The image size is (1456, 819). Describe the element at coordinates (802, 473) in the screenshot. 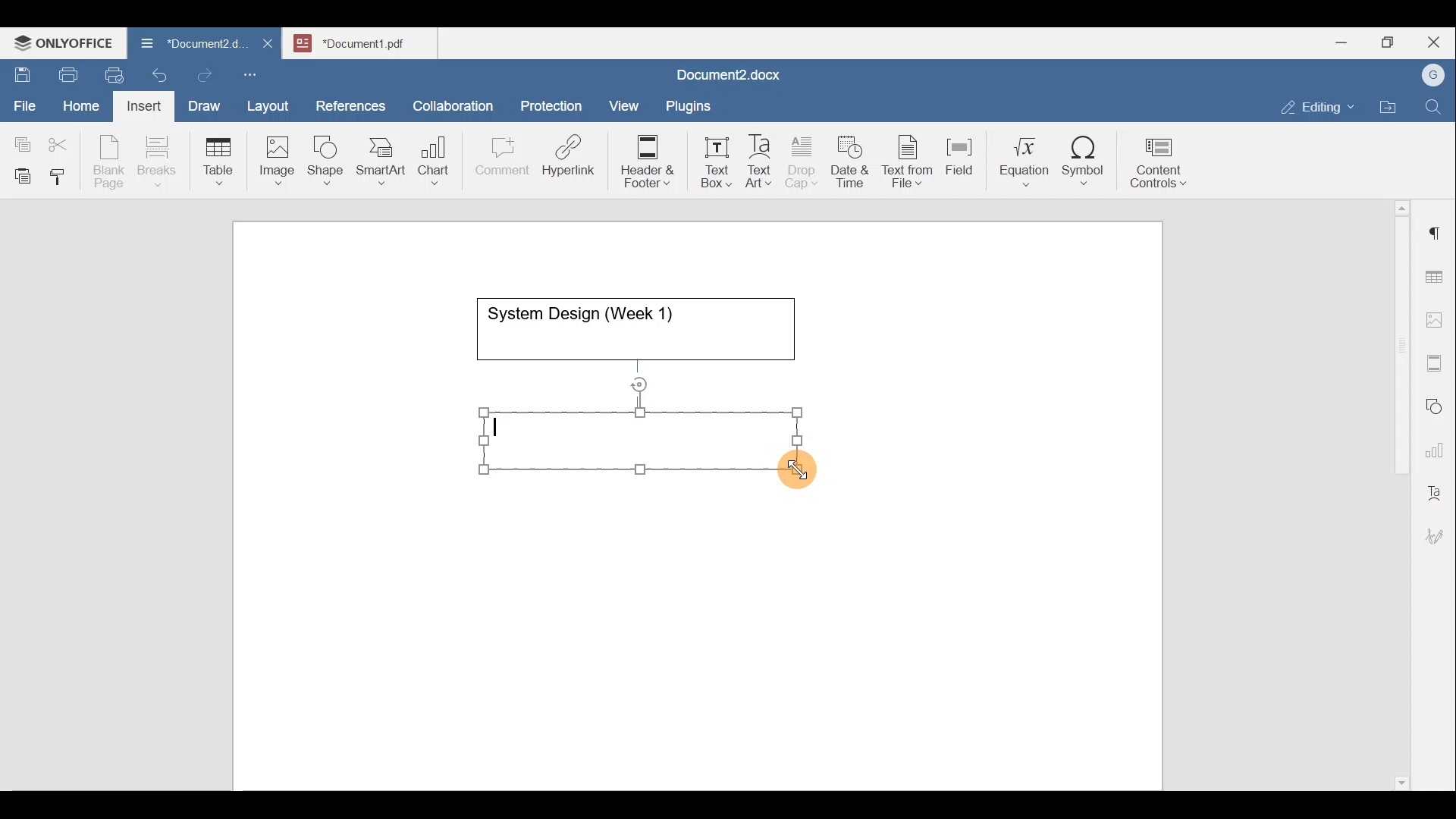

I see `Cursor` at that location.